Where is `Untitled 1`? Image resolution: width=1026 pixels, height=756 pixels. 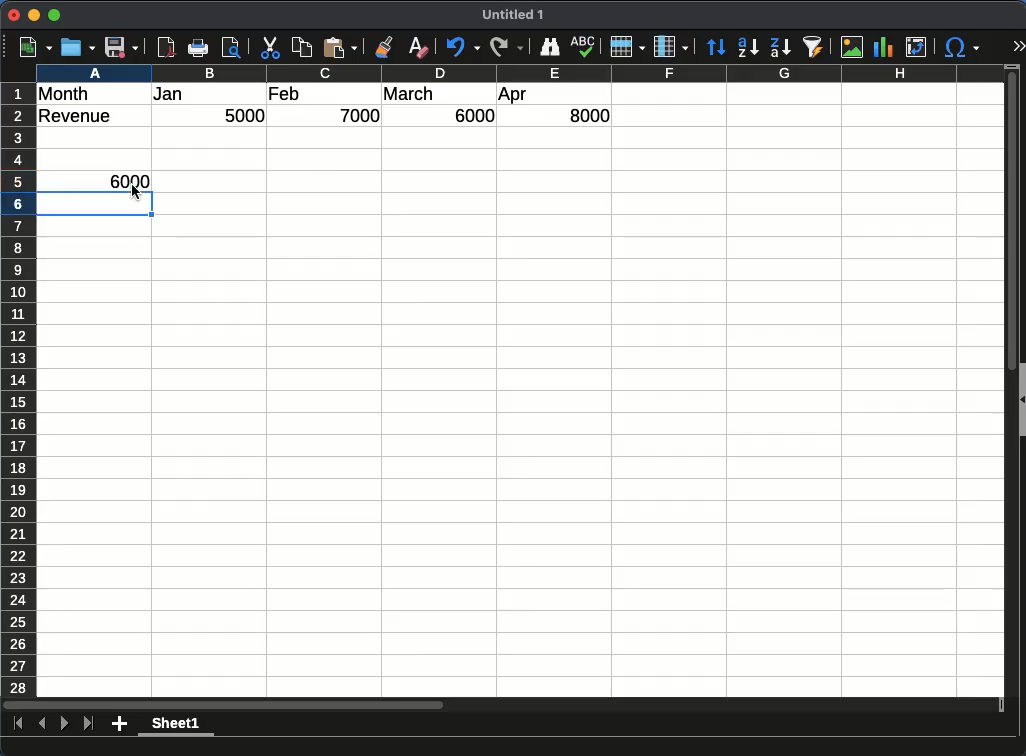
Untitled 1 is located at coordinates (513, 14).